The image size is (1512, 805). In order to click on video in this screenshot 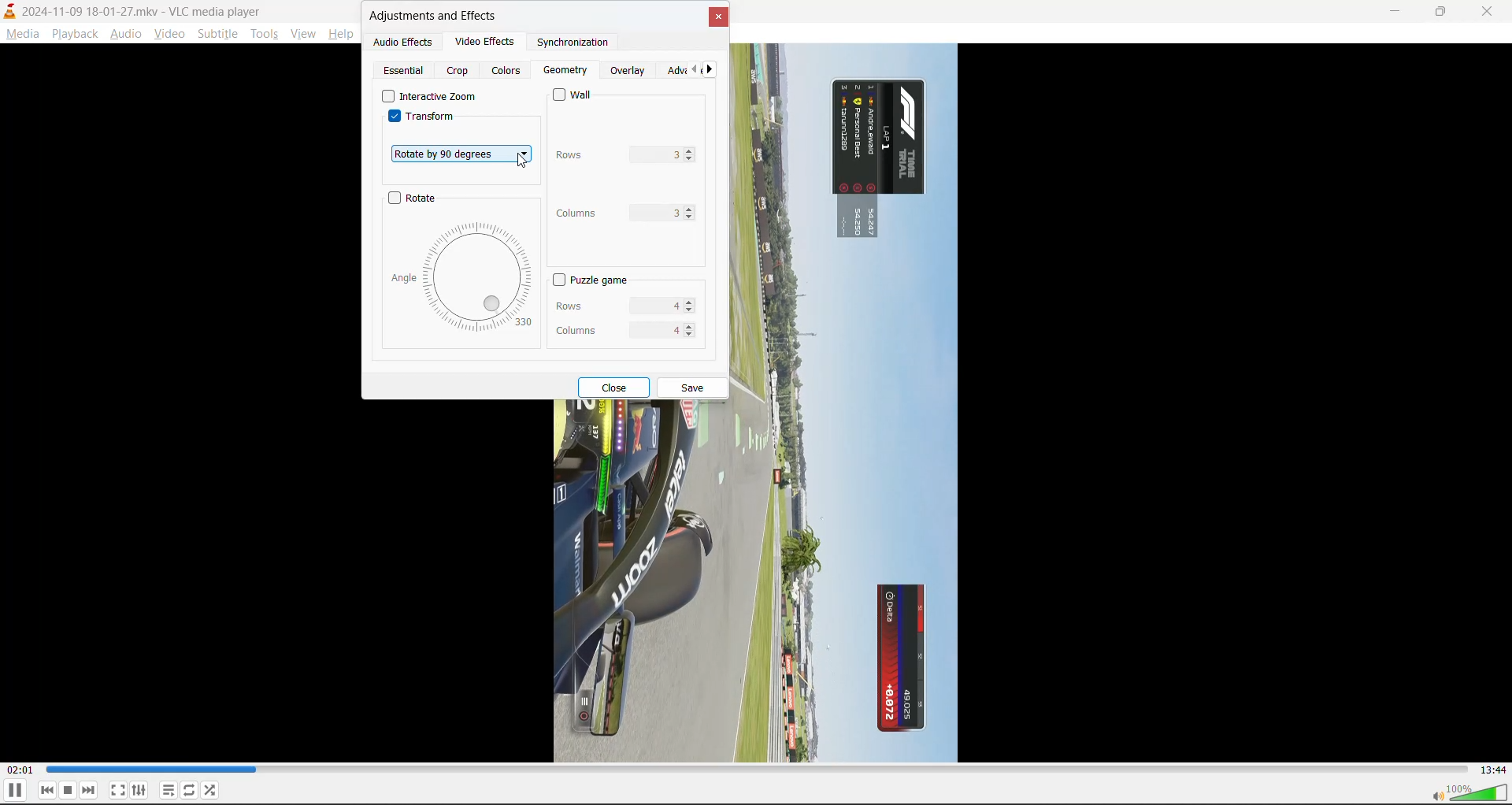, I will do `click(169, 37)`.